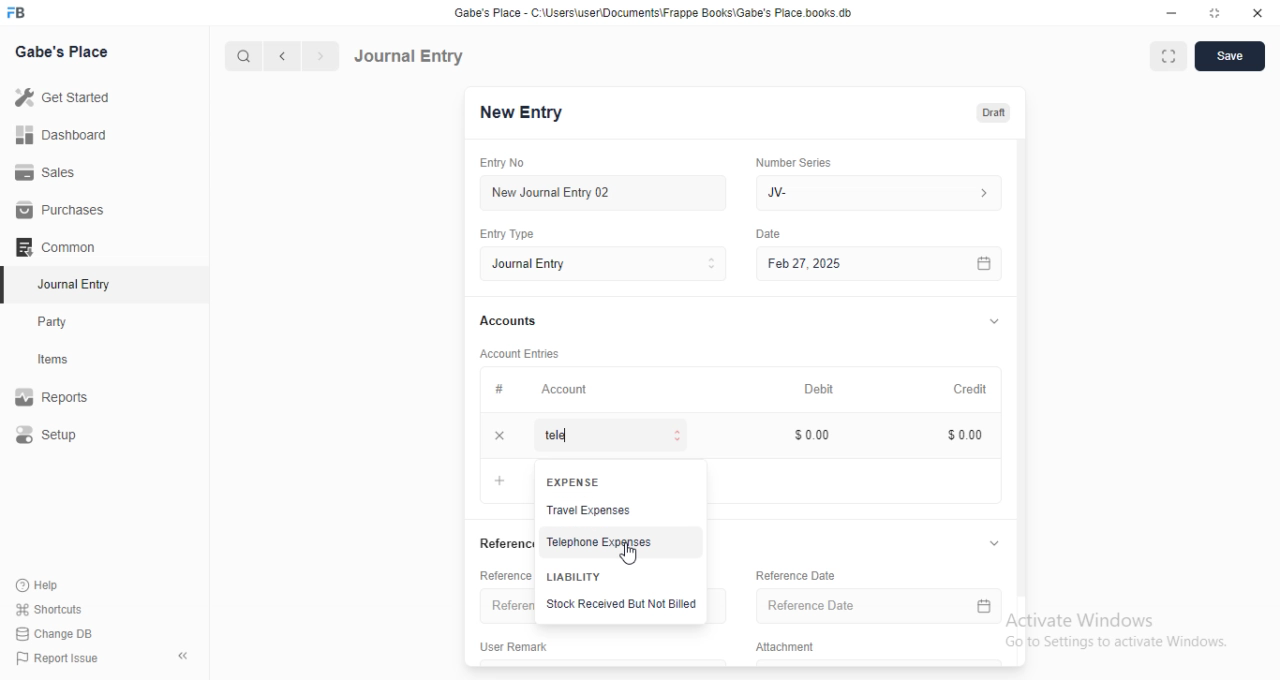 This screenshot has width=1280, height=680. Describe the element at coordinates (588, 510) in the screenshot. I see `Travel Expenses` at that location.